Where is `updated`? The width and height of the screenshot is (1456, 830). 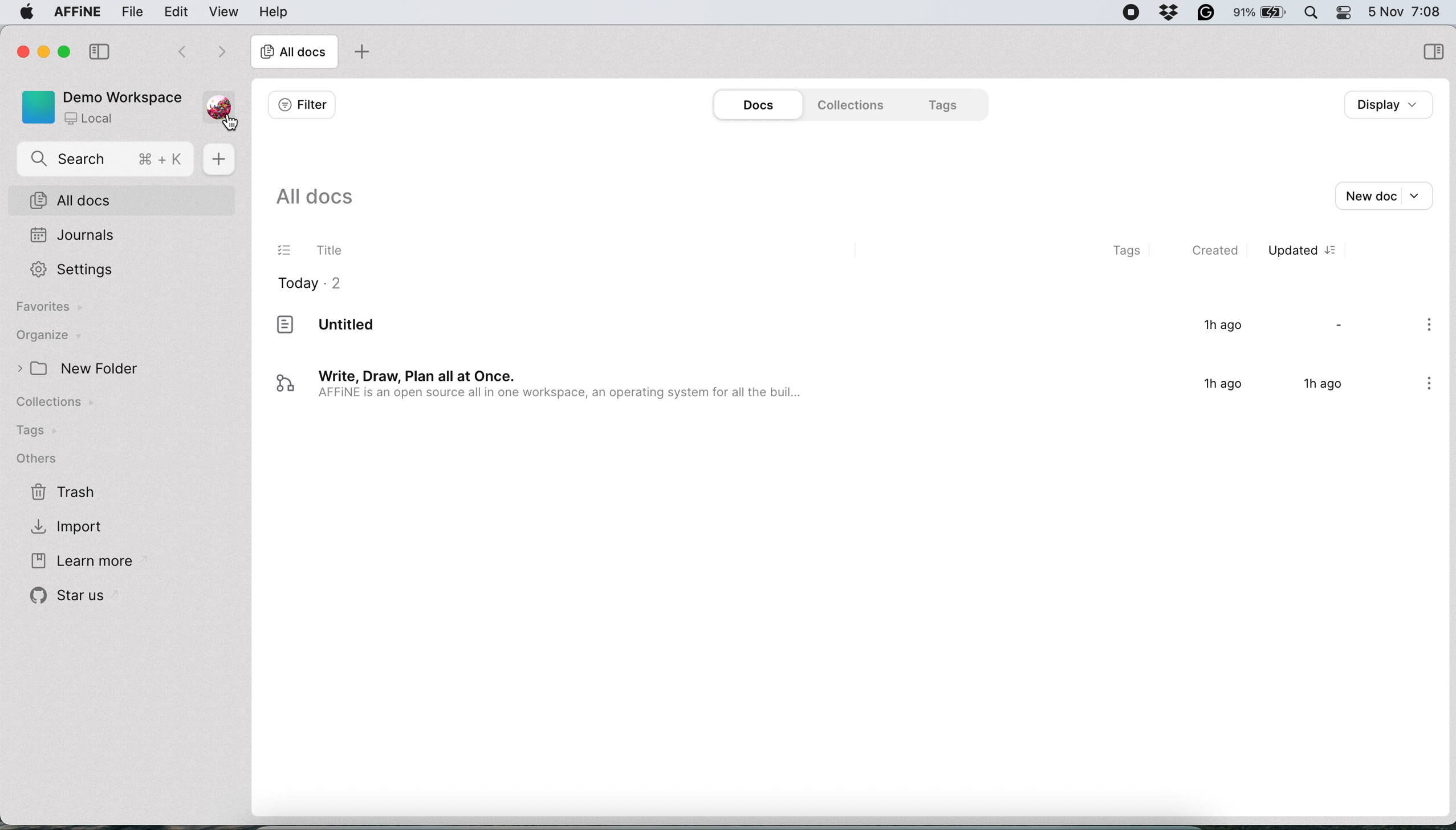
updated is located at coordinates (1303, 252).